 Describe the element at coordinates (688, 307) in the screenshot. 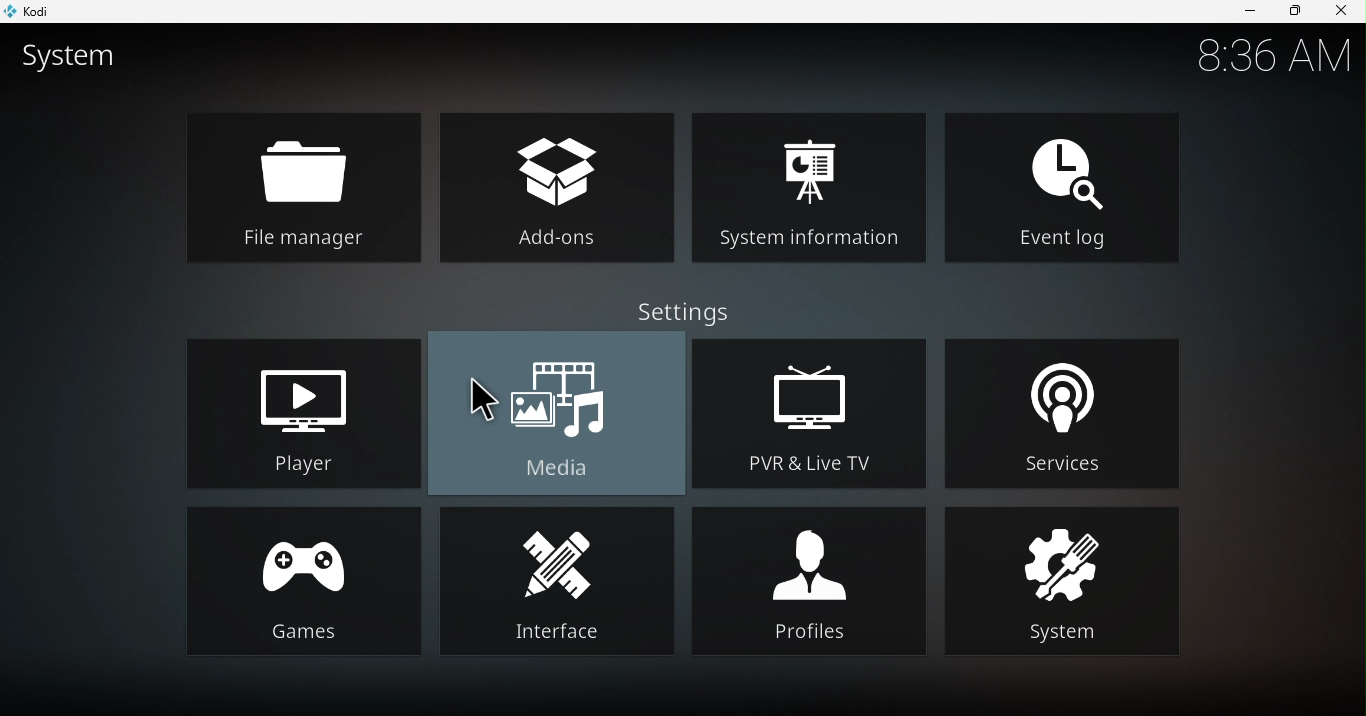

I see `Settings` at that location.